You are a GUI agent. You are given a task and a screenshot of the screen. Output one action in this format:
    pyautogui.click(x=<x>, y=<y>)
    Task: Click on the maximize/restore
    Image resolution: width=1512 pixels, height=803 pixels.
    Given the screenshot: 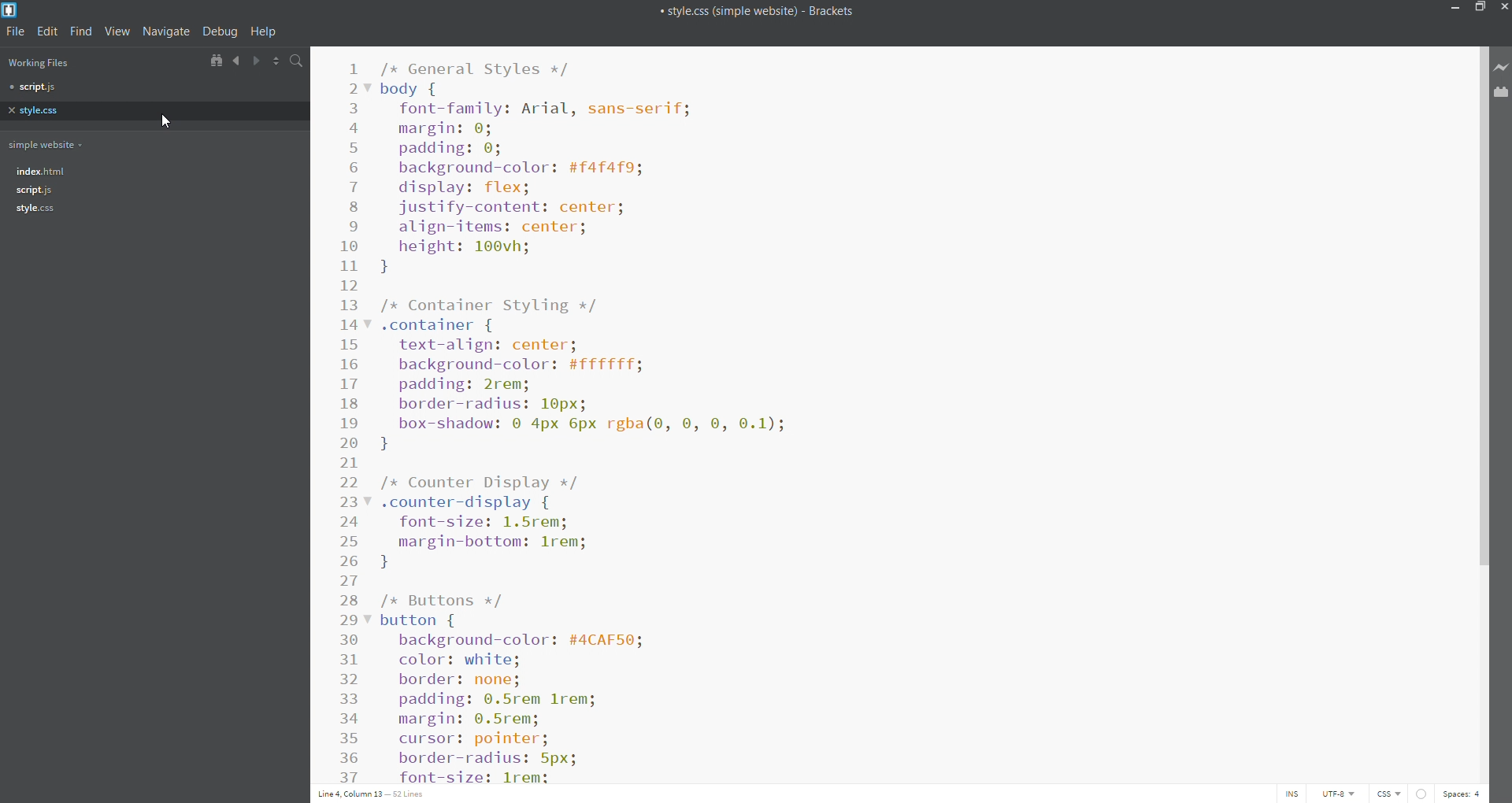 What is the action you would take?
    pyautogui.click(x=1480, y=9)
    